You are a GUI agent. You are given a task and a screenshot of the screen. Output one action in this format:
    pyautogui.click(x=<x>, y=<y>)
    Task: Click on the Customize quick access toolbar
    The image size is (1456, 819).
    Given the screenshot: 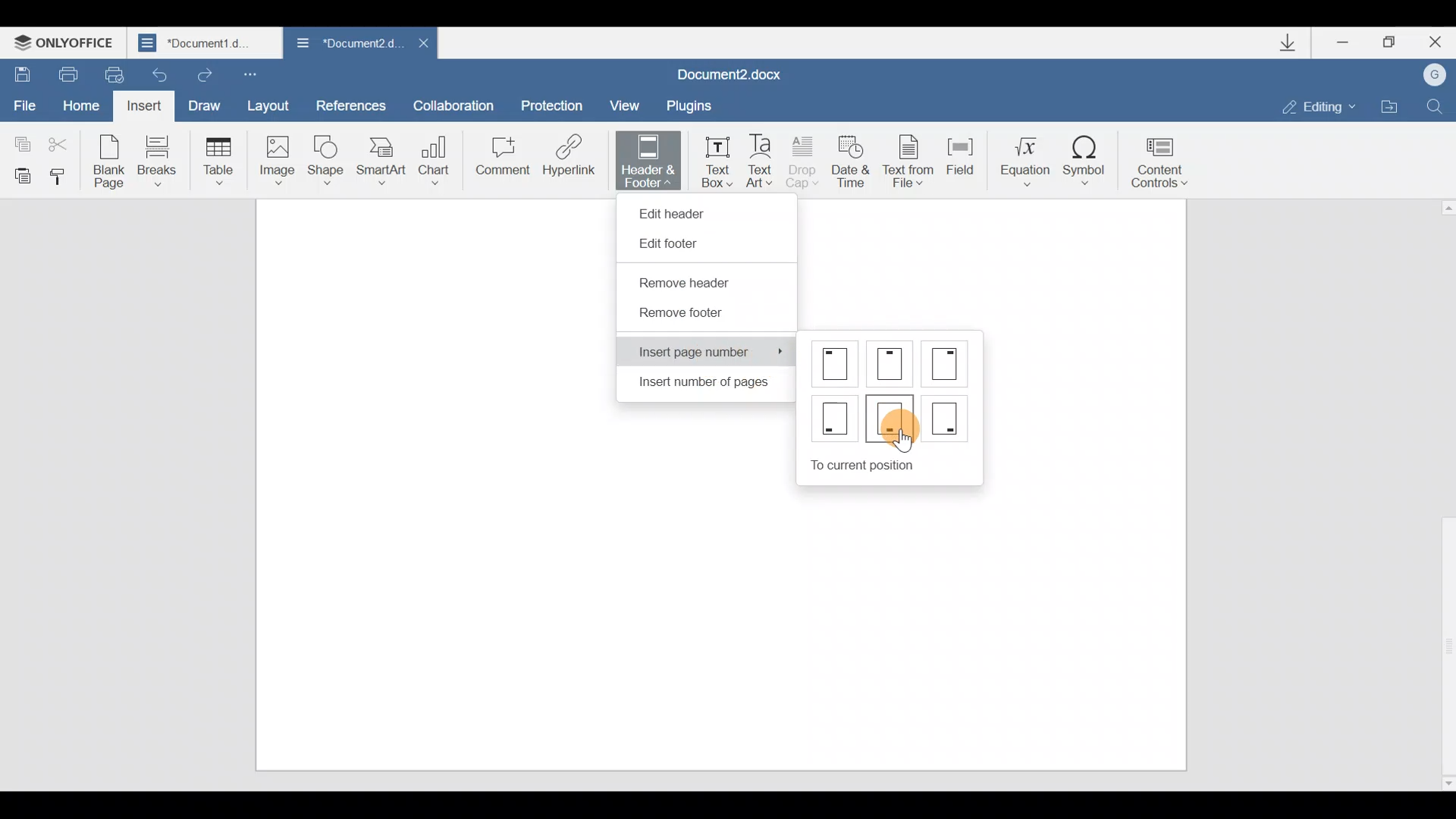 What is the action you would take?
    pyautogui.click(x=262, y=74)
    